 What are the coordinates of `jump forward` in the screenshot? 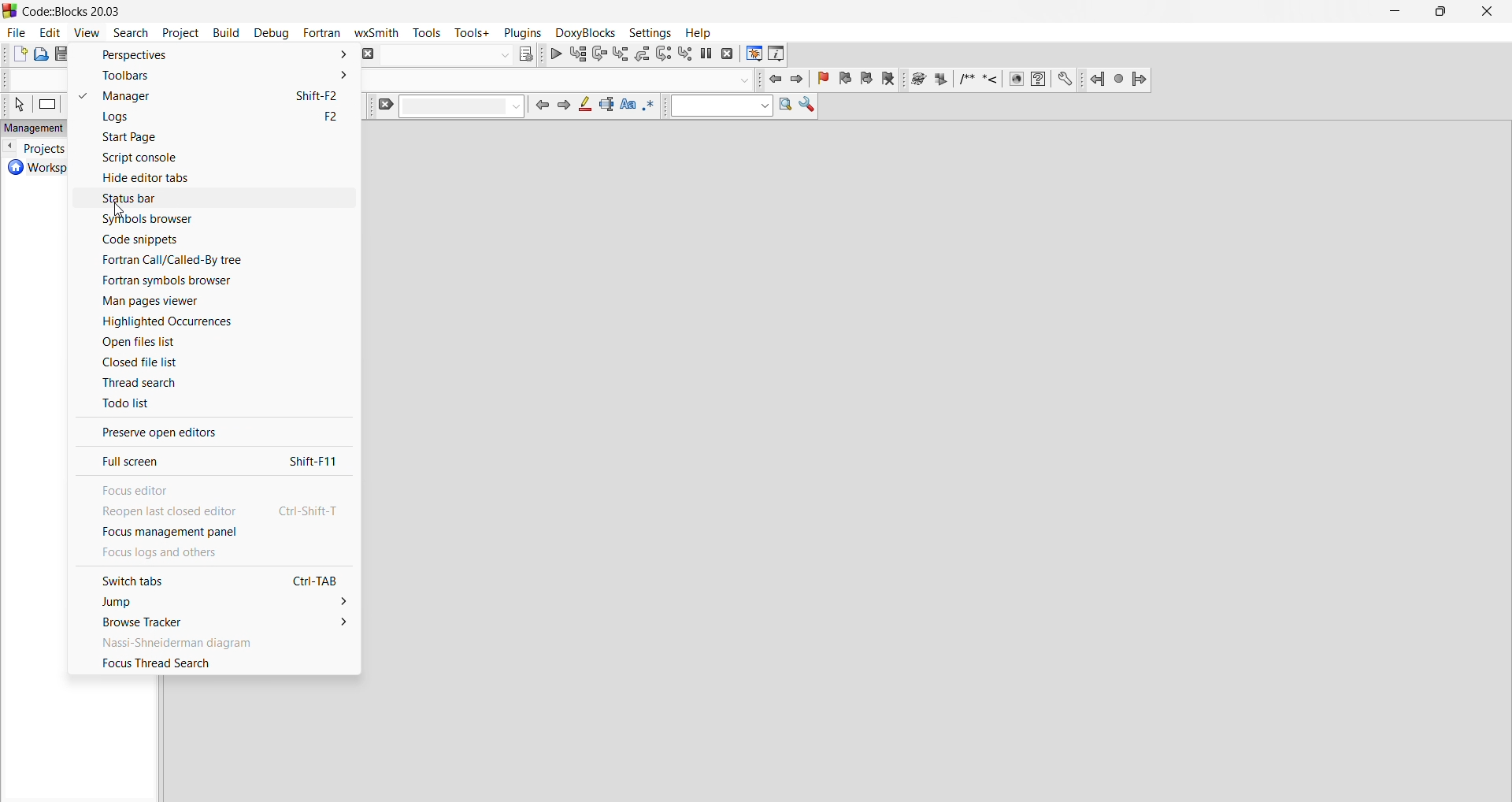 It's located at (798, 79).